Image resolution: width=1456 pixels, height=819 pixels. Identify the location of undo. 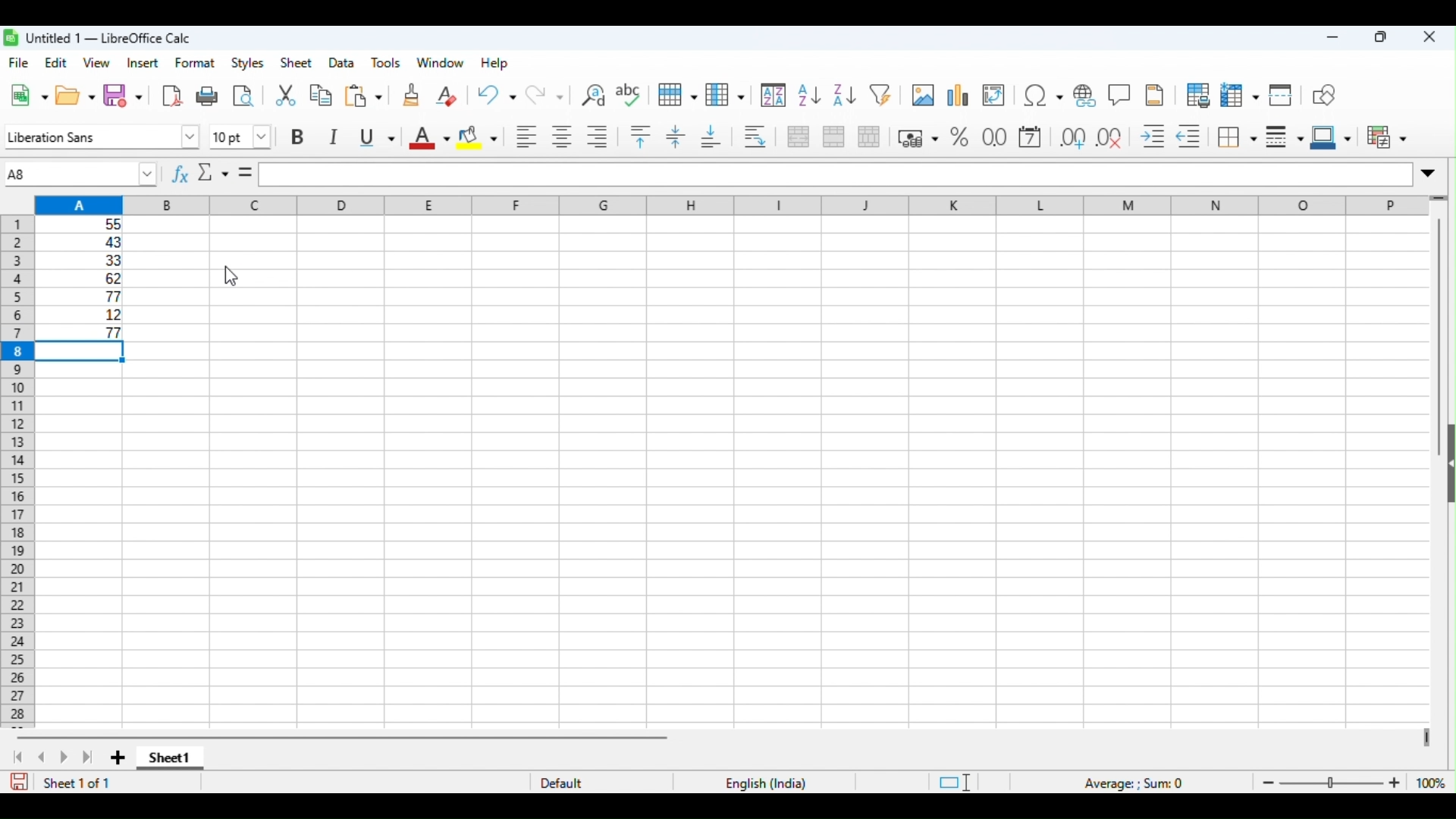
(497, 96).